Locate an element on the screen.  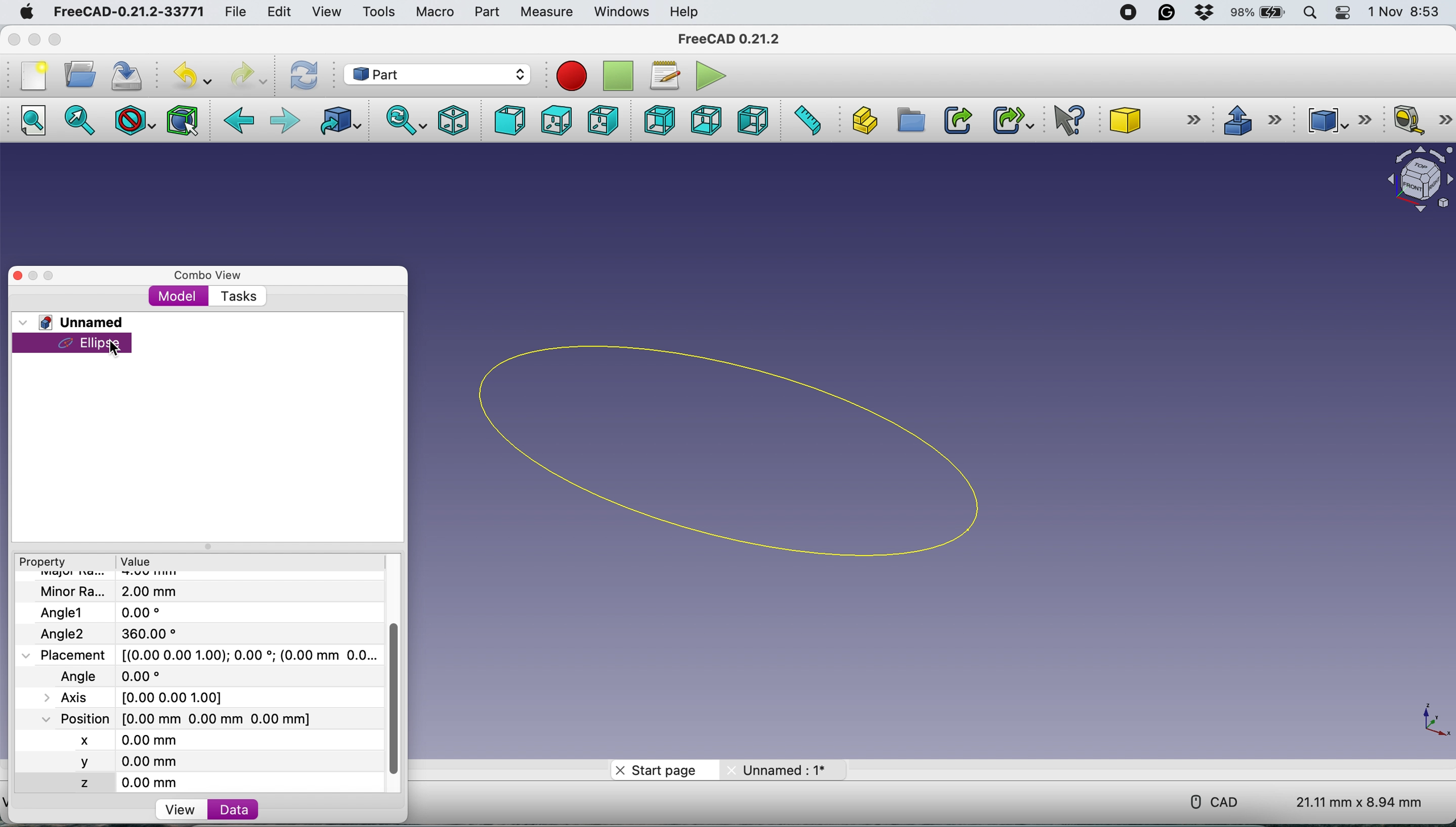
right is located at coordinates (605, 120).